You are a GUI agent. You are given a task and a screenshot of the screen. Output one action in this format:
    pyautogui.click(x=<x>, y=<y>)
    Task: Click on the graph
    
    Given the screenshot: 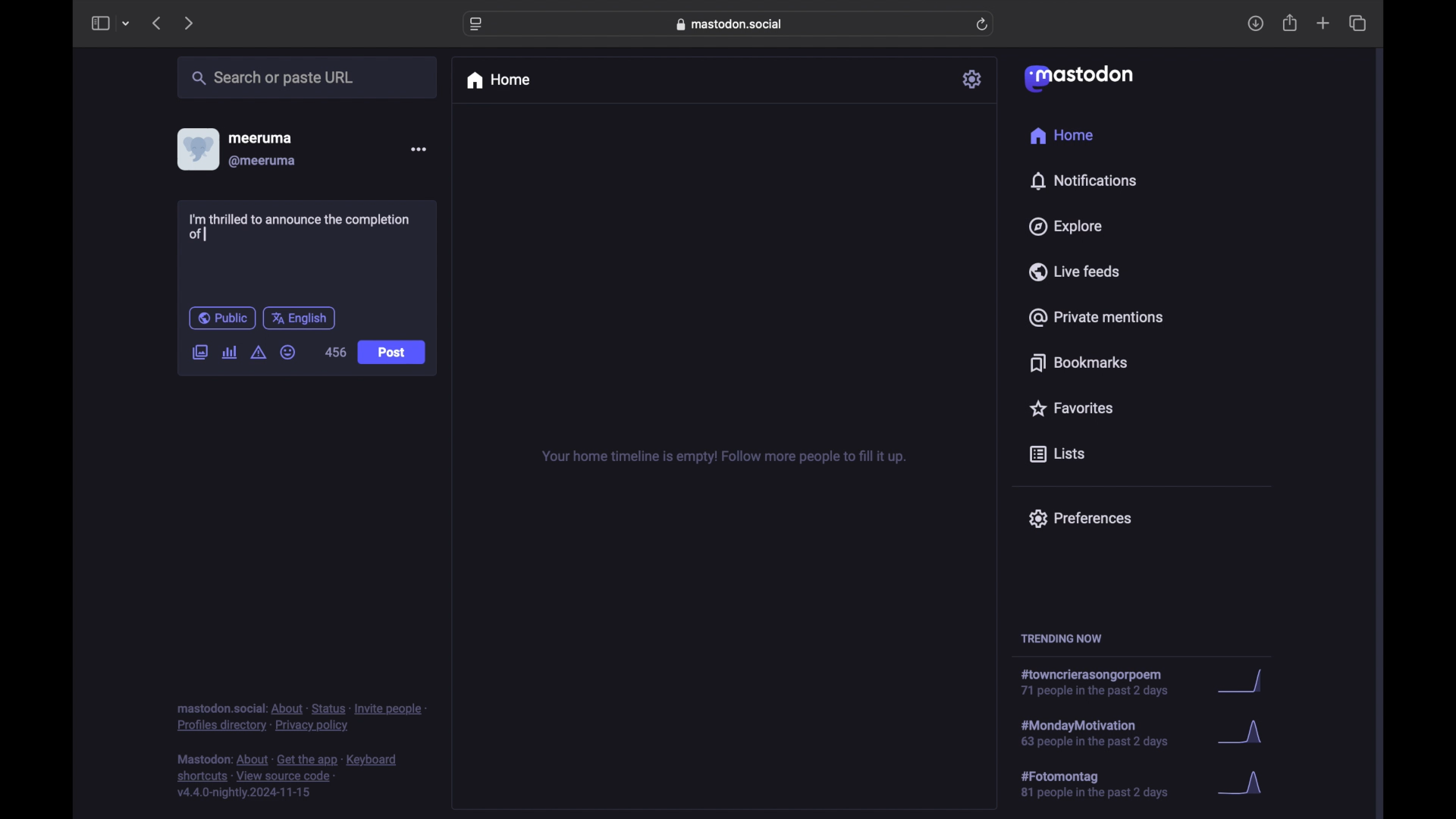 What is the action you would take?
    pyautogui.click(x=1246, y=682)
    